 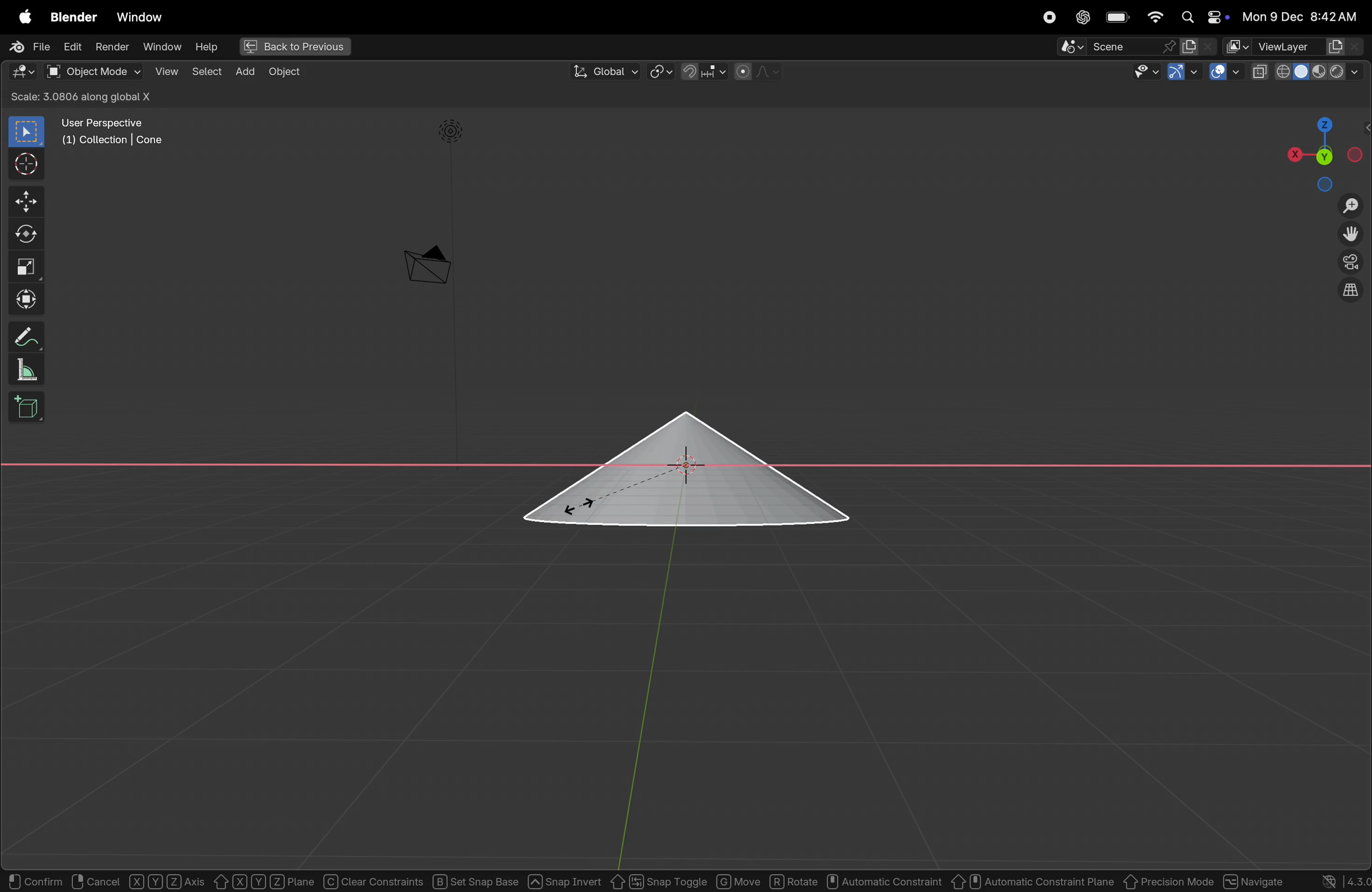 What do you see at coordinates (263, 880) in the screenshot?
I see `X Y Z Plane` at bounding box center [263, 880].